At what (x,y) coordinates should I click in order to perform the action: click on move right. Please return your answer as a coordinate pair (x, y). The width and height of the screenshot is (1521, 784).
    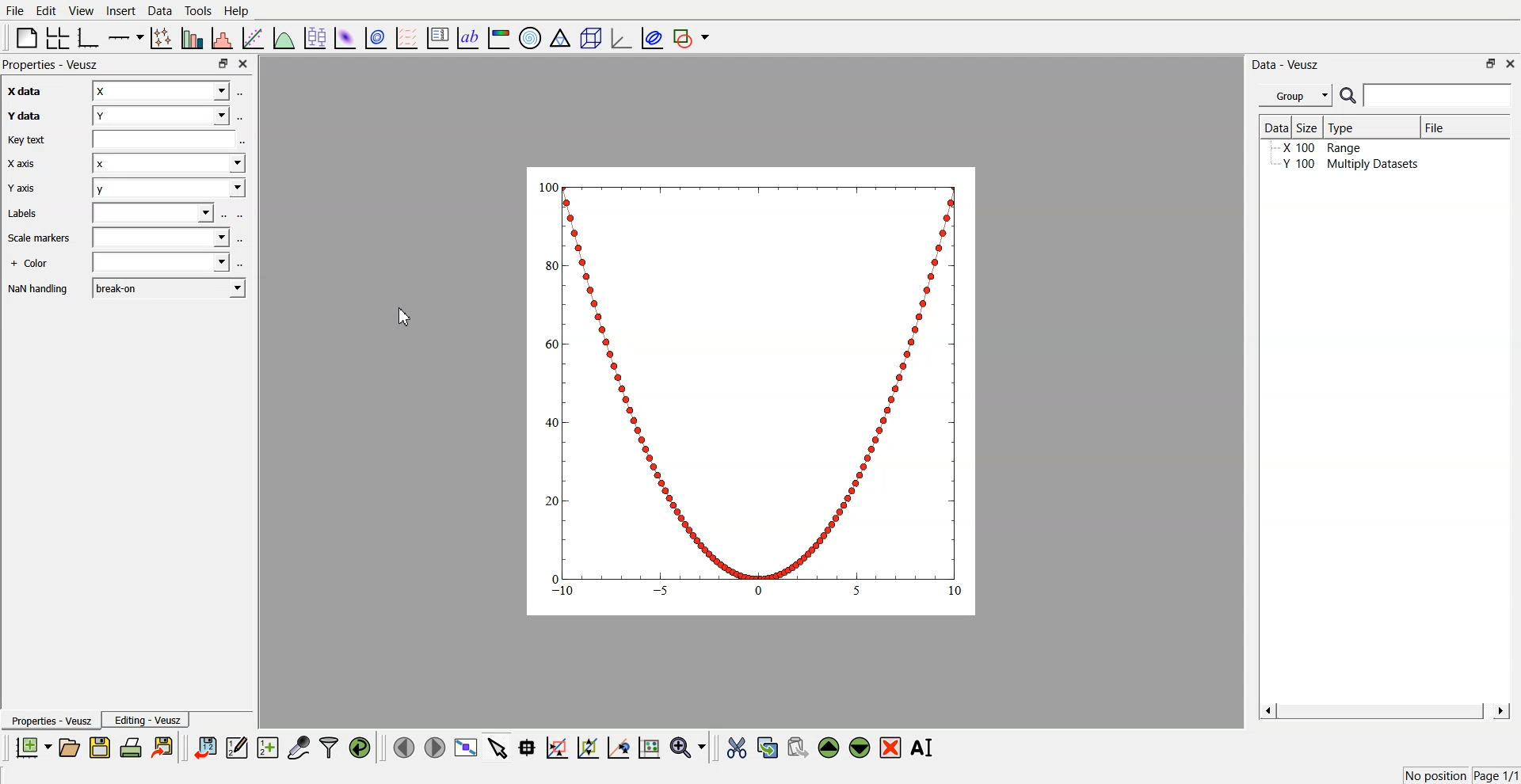
    Looking at the image, I should click on (434, 746).